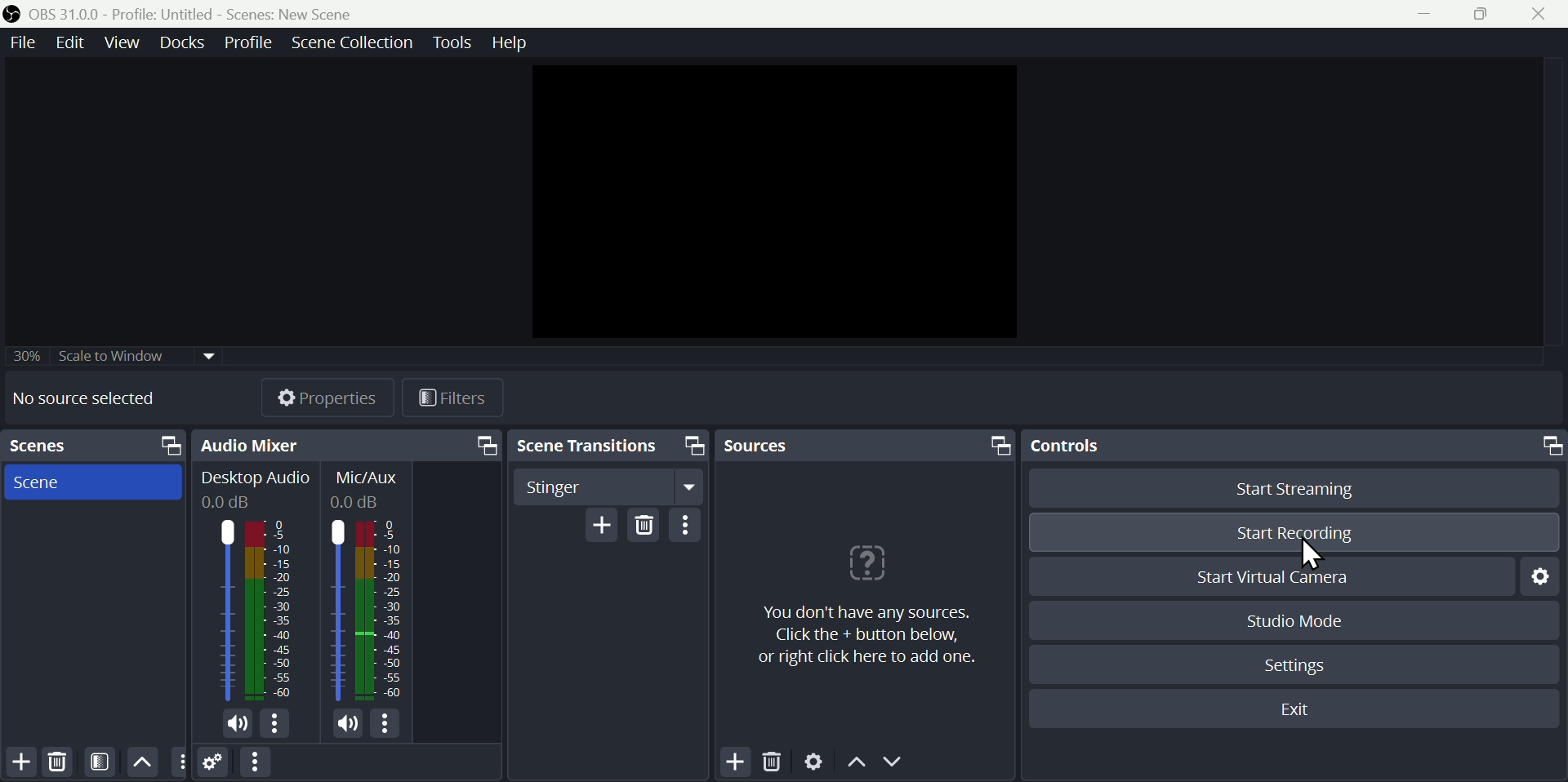 The width and height of the screenshot is (1568, 782). I want to click on maximize, so click(1549, 445).